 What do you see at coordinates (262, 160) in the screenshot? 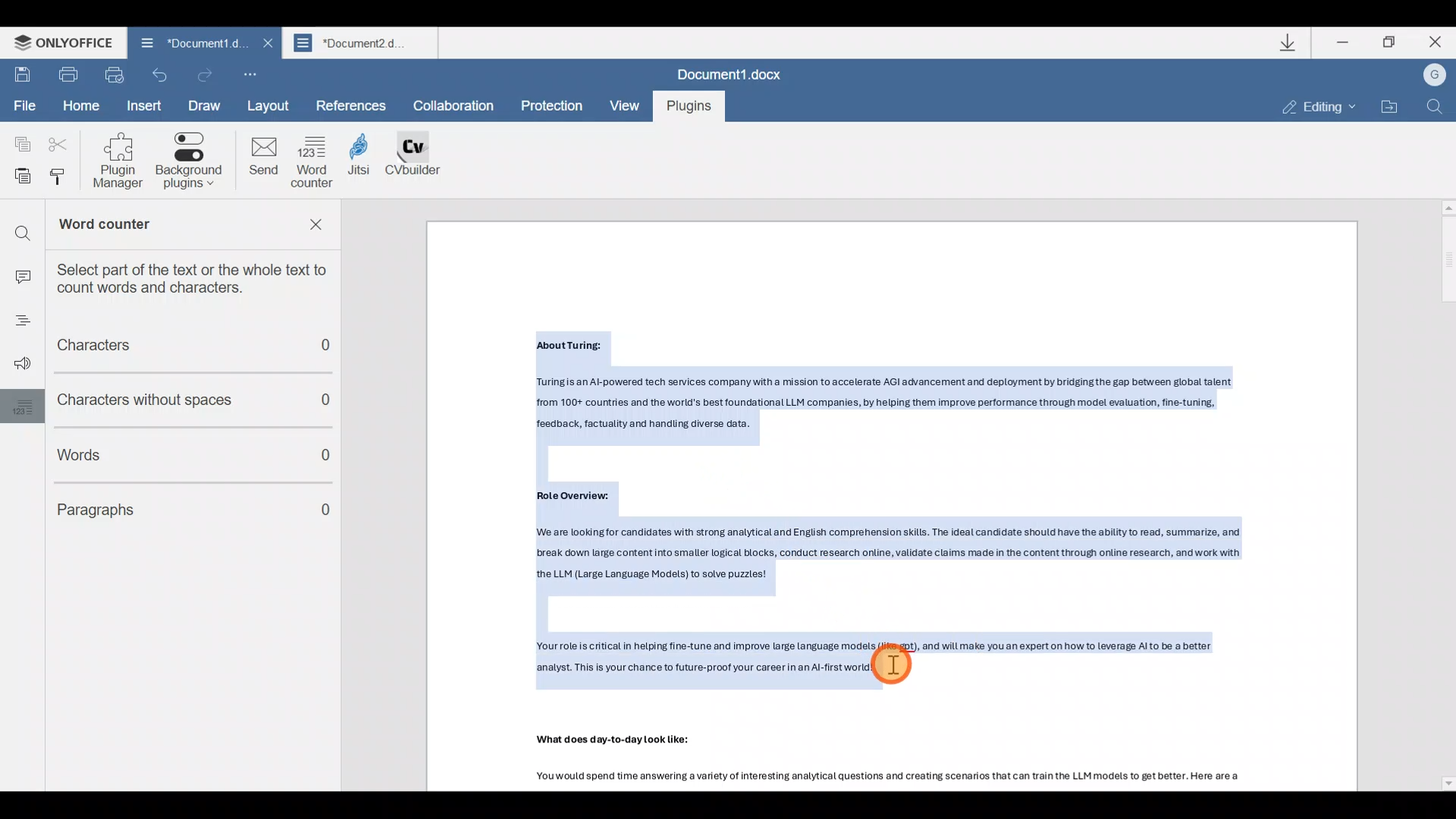
I see `Send` at bounding box center [262, 160].